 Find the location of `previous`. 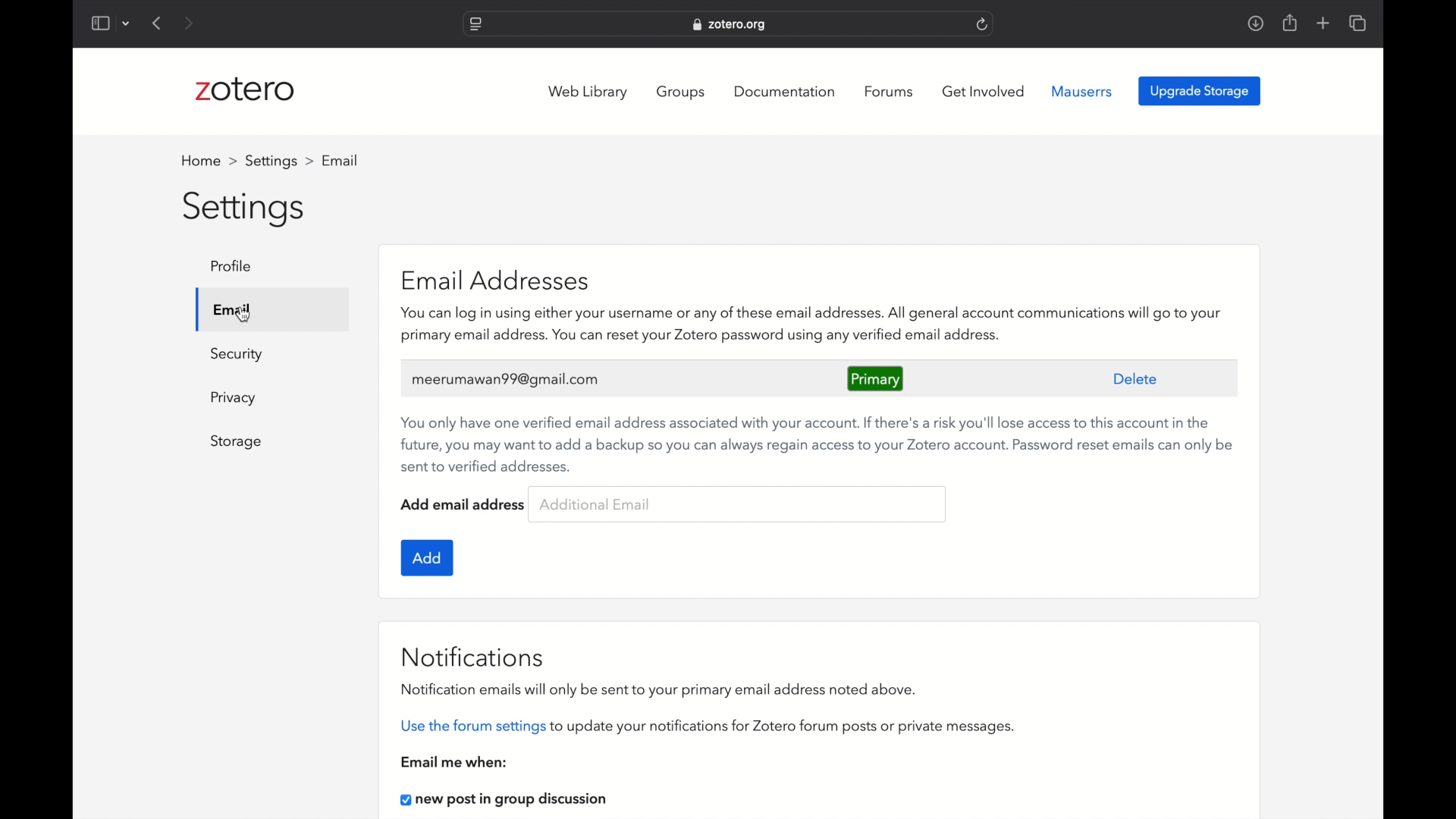

previous is located at coordinates (158, 23).